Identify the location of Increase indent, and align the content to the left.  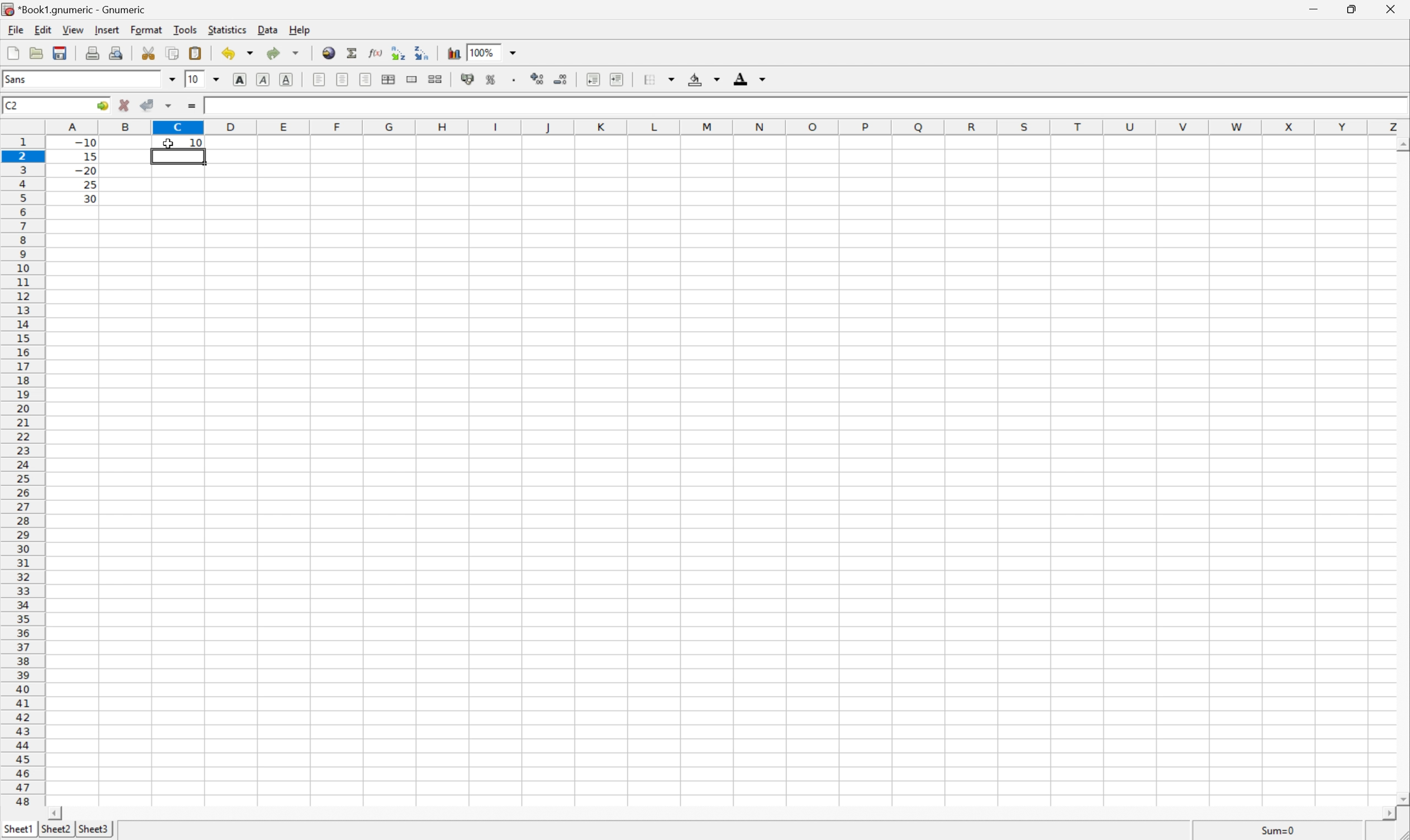
(615, 79).